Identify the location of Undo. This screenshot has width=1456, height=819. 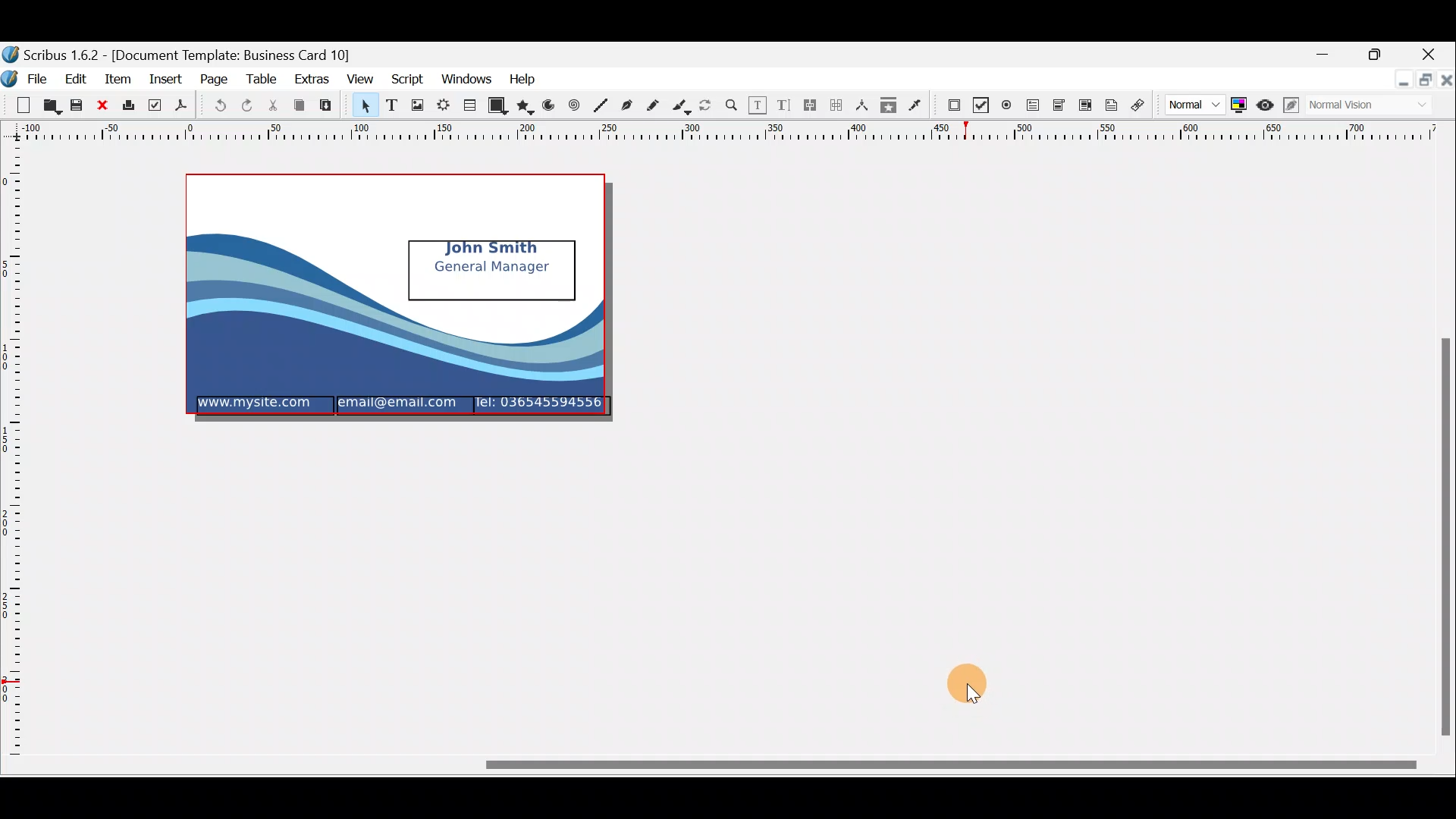
(220, 106).